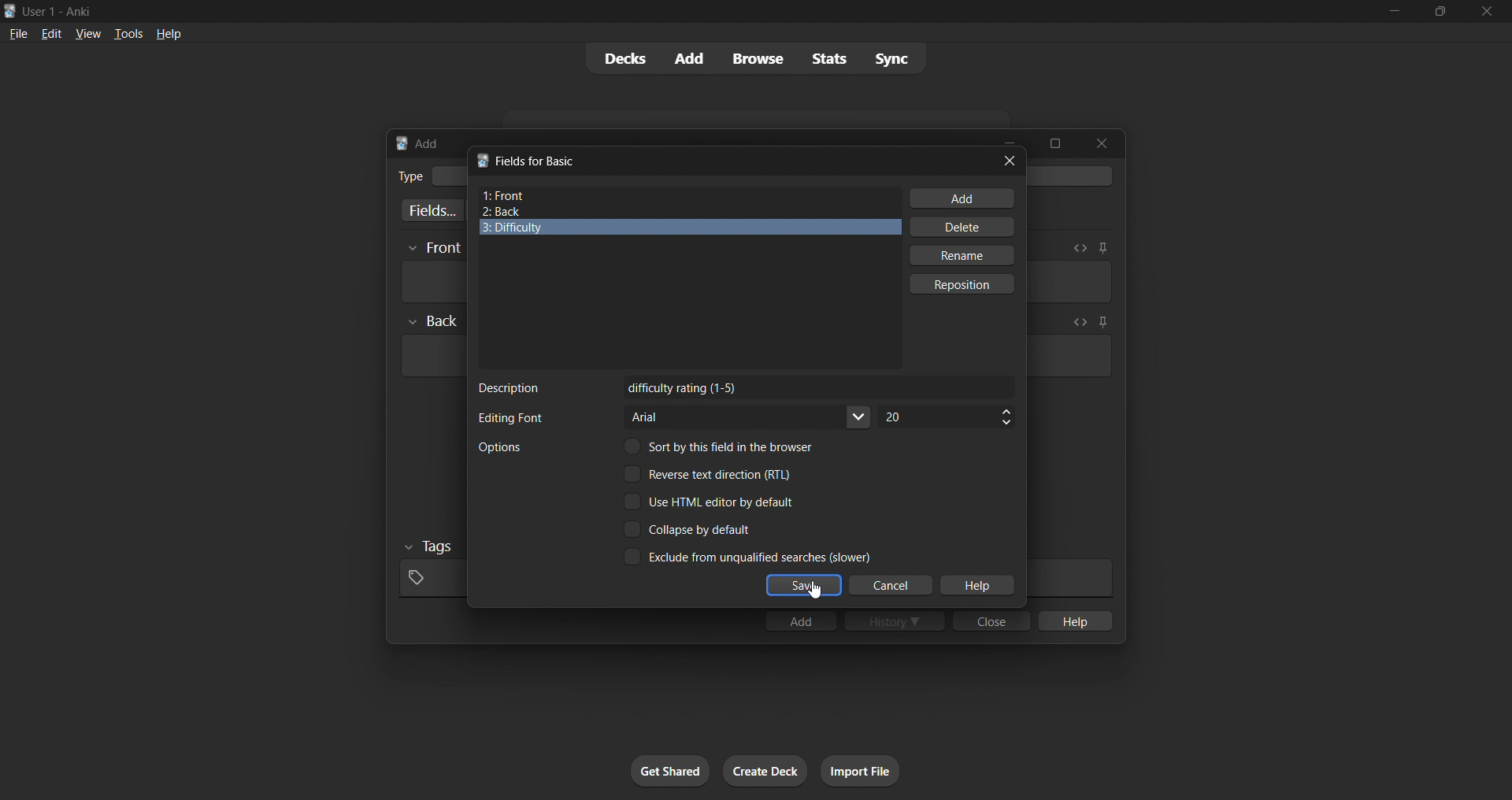 The height and width of the screenshot is (800, 1512). Describe the element at coordinates (52, 33) in the screenshot. I see `edit` at that location.